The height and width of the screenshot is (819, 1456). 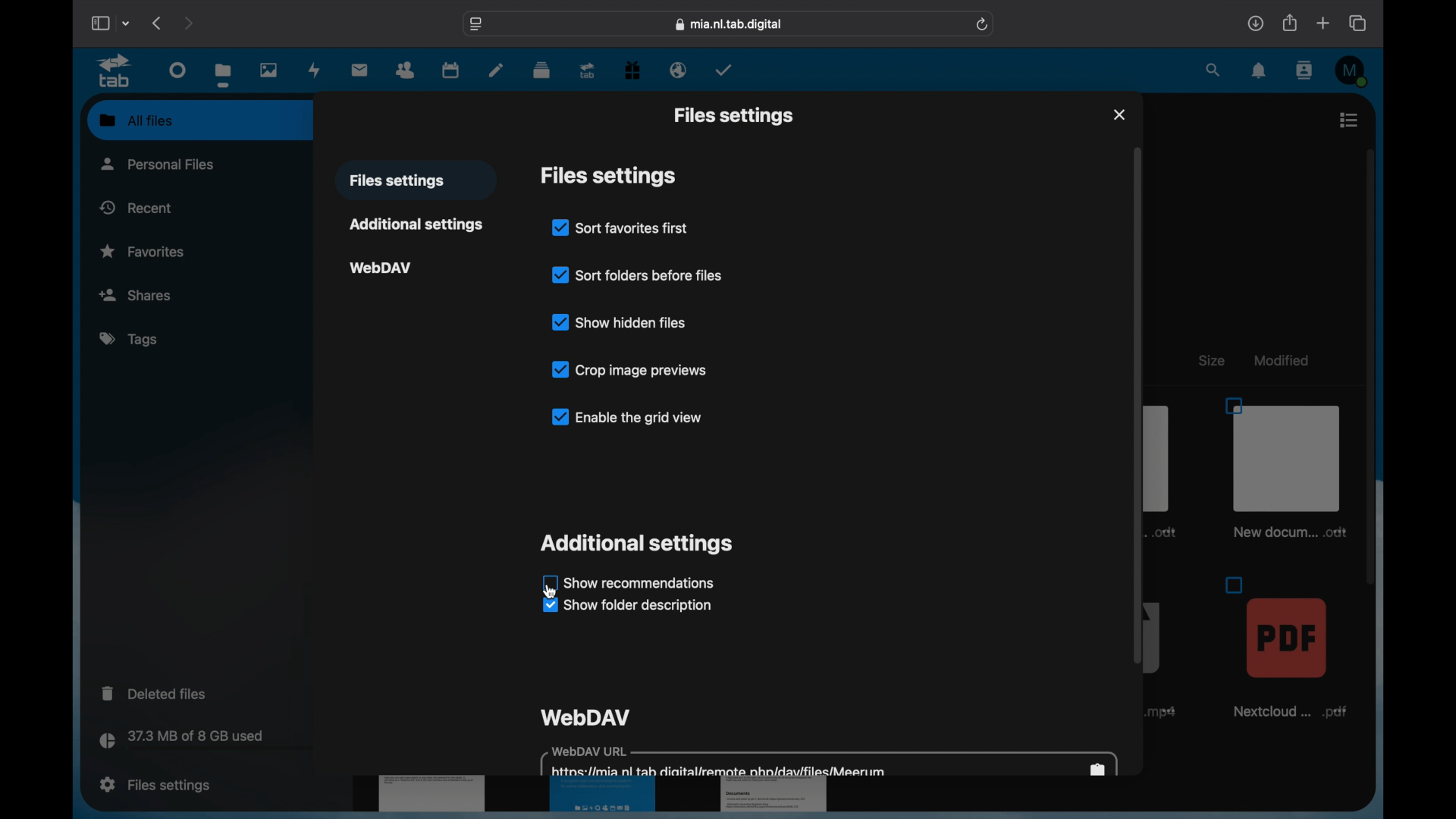 I want to click on free trial, so click(x=632, y=71).